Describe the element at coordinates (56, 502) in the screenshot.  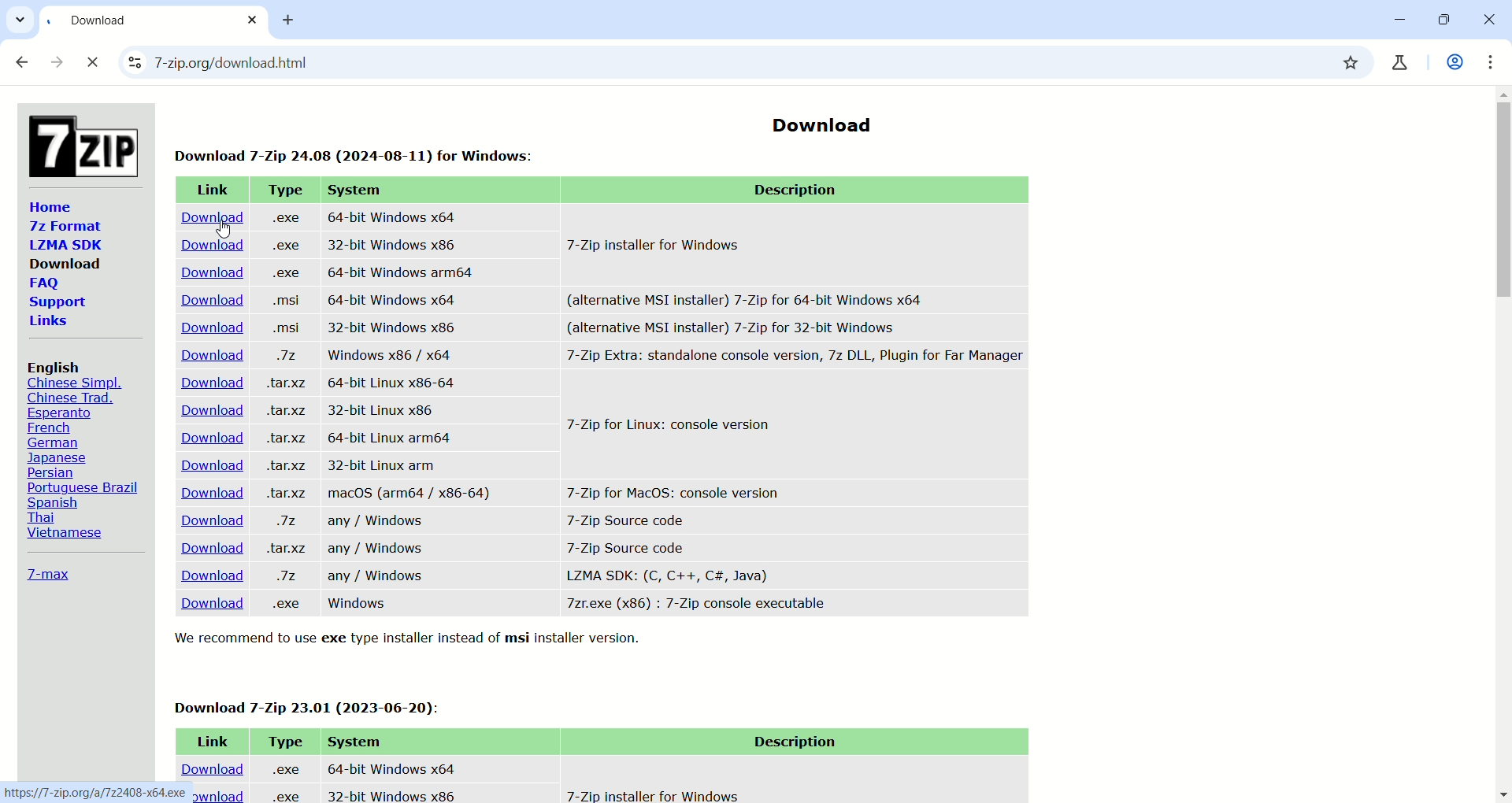
I see `Spanish` at that location.